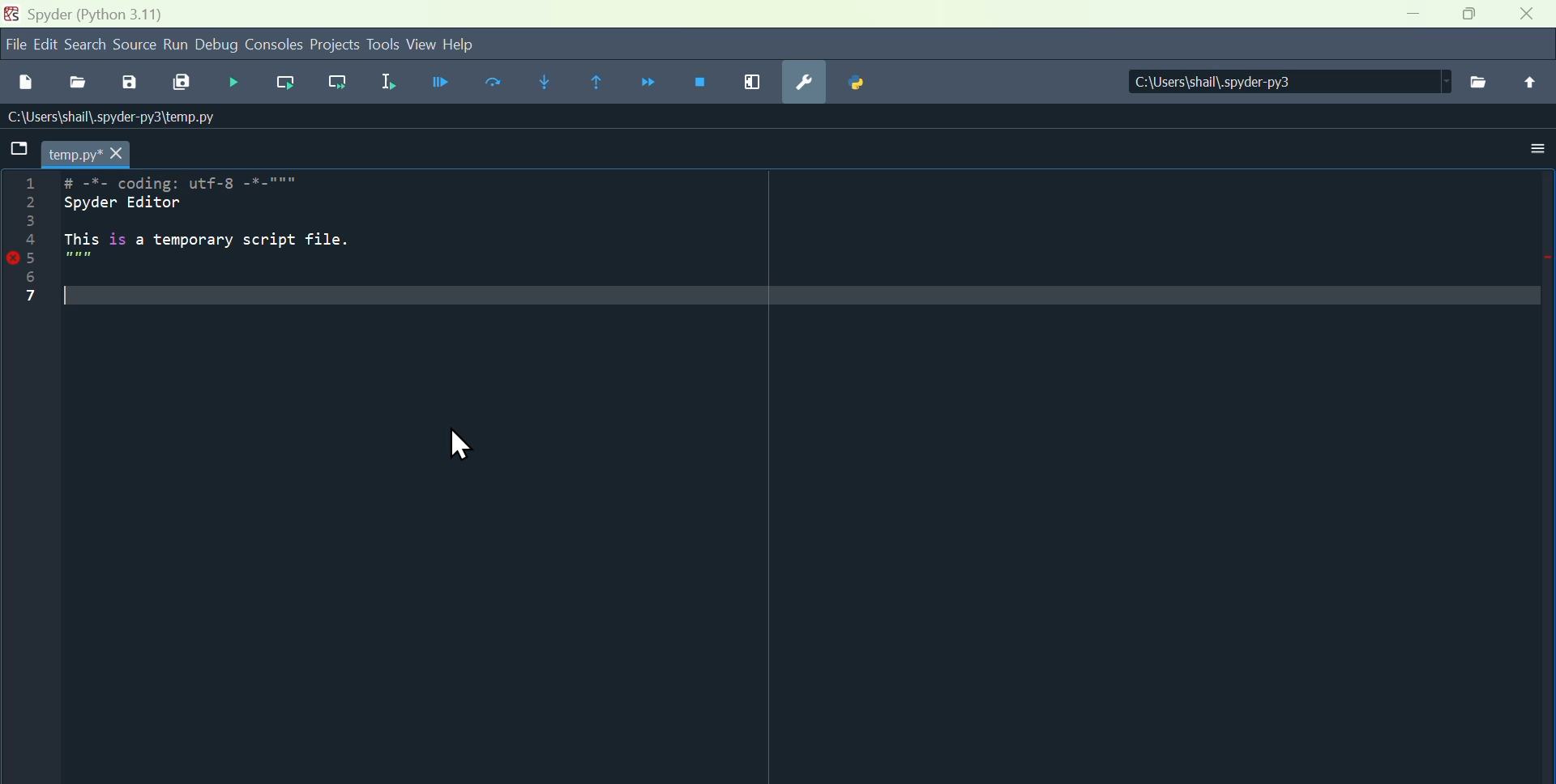 The height and width of the screenshot is (784, 1556). I want to click on User\shail\spyder-py3]\temp.py, so click(110, 115).